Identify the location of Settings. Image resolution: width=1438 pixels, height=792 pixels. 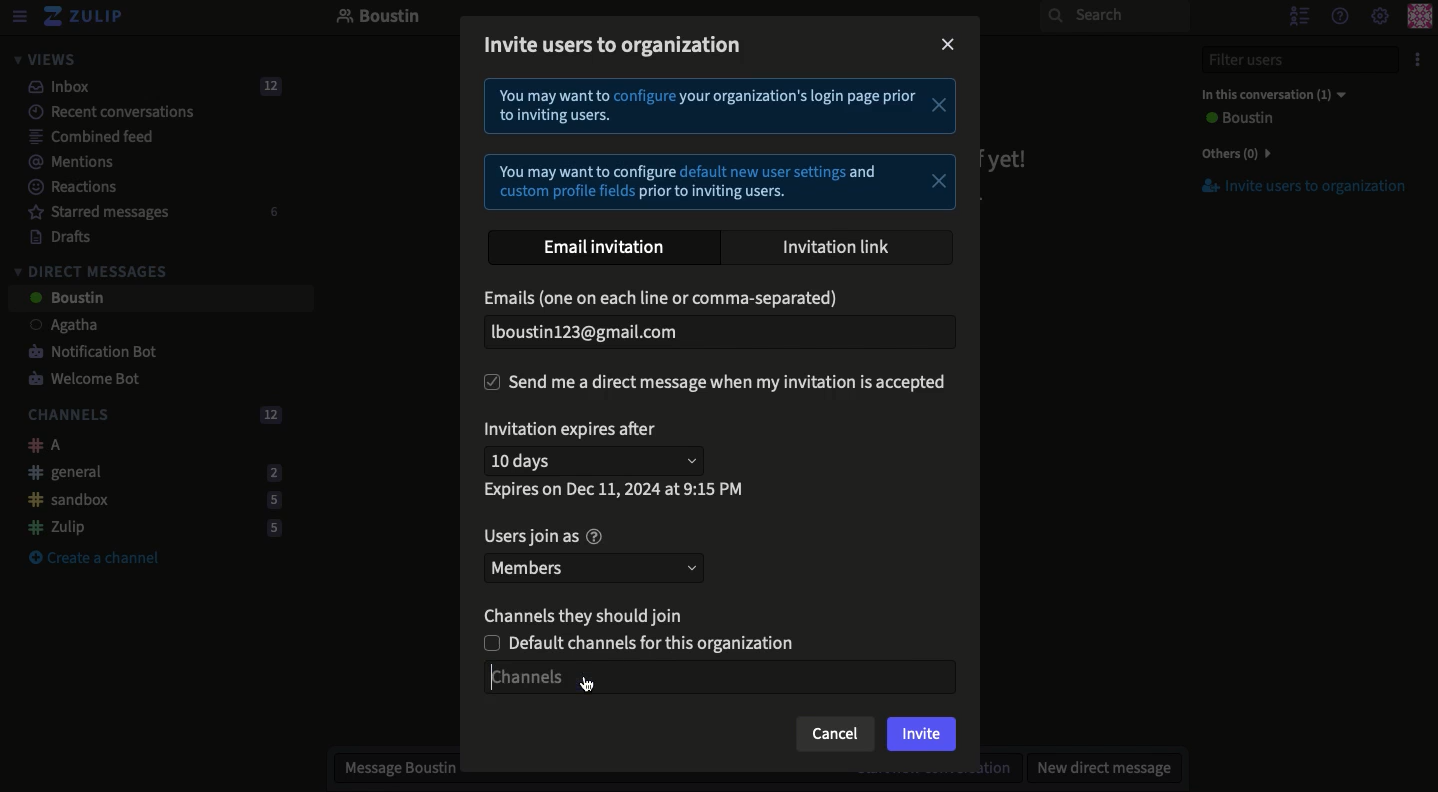
(1380, 17).